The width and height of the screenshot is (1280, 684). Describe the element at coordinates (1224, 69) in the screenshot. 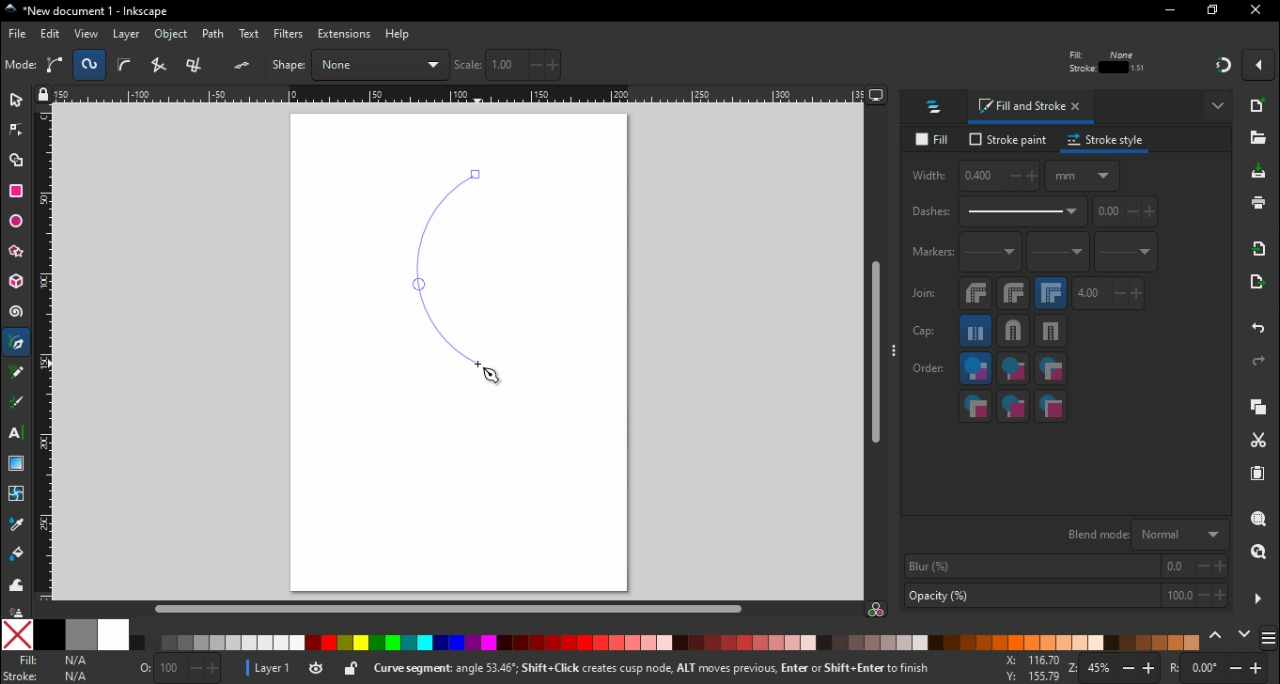

I see `snapping: on/off` at that location.